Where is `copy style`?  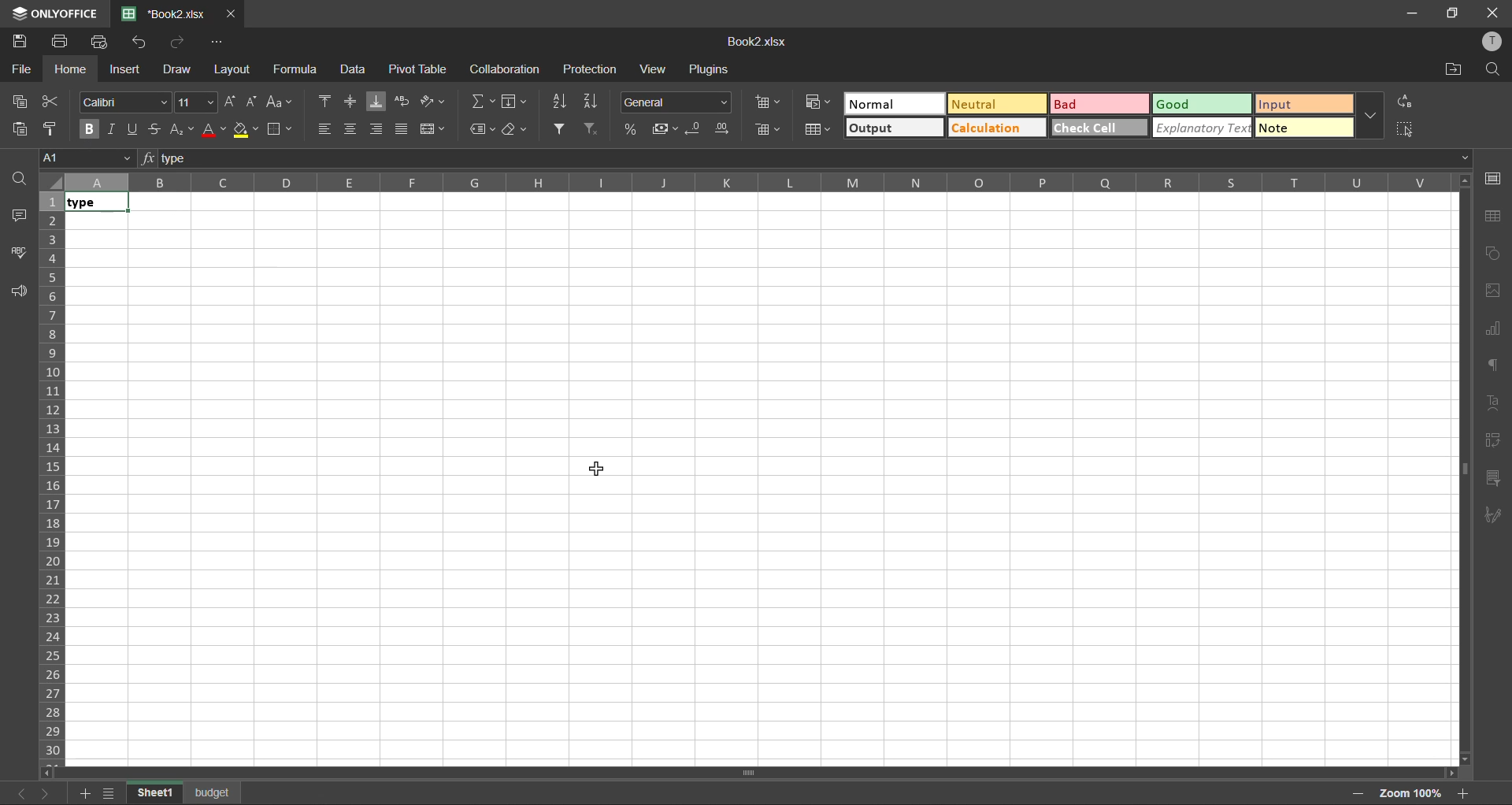 copy style is located at coordinates (47, 130).